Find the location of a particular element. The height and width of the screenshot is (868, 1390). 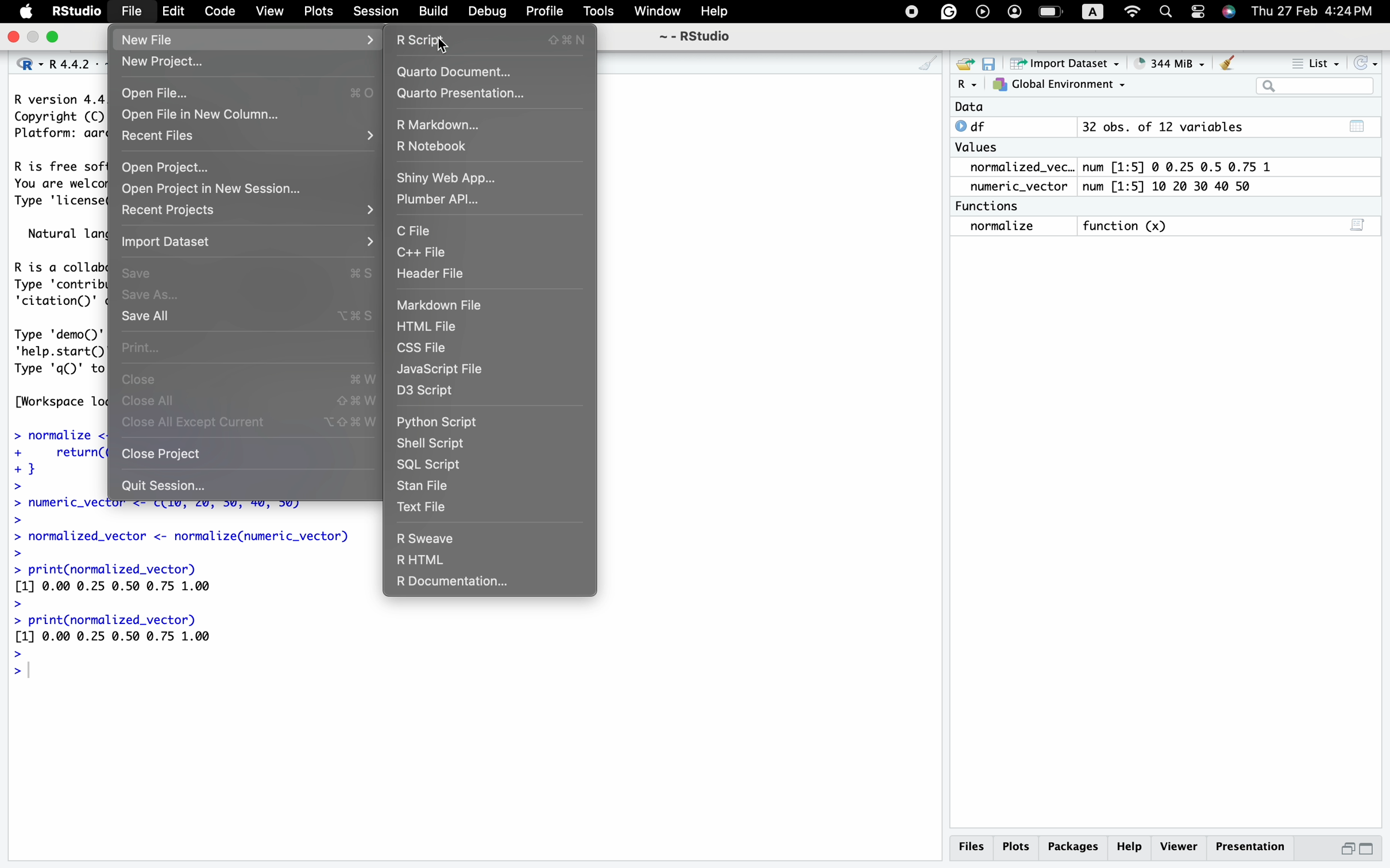

~ - RStudio is located at coordinates (696, 37).